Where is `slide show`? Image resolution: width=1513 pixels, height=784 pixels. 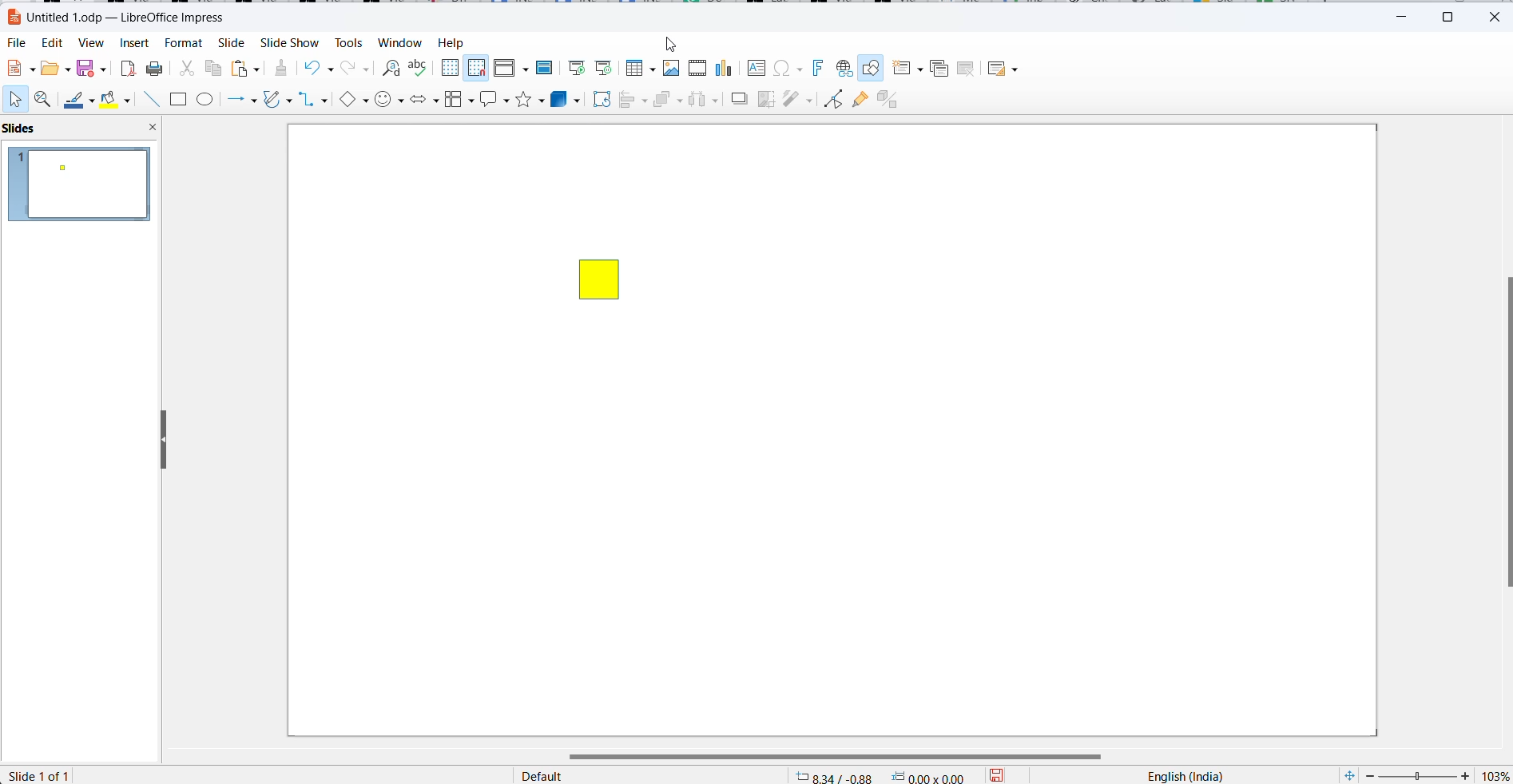
slide show is located at coordinates (288, 44).